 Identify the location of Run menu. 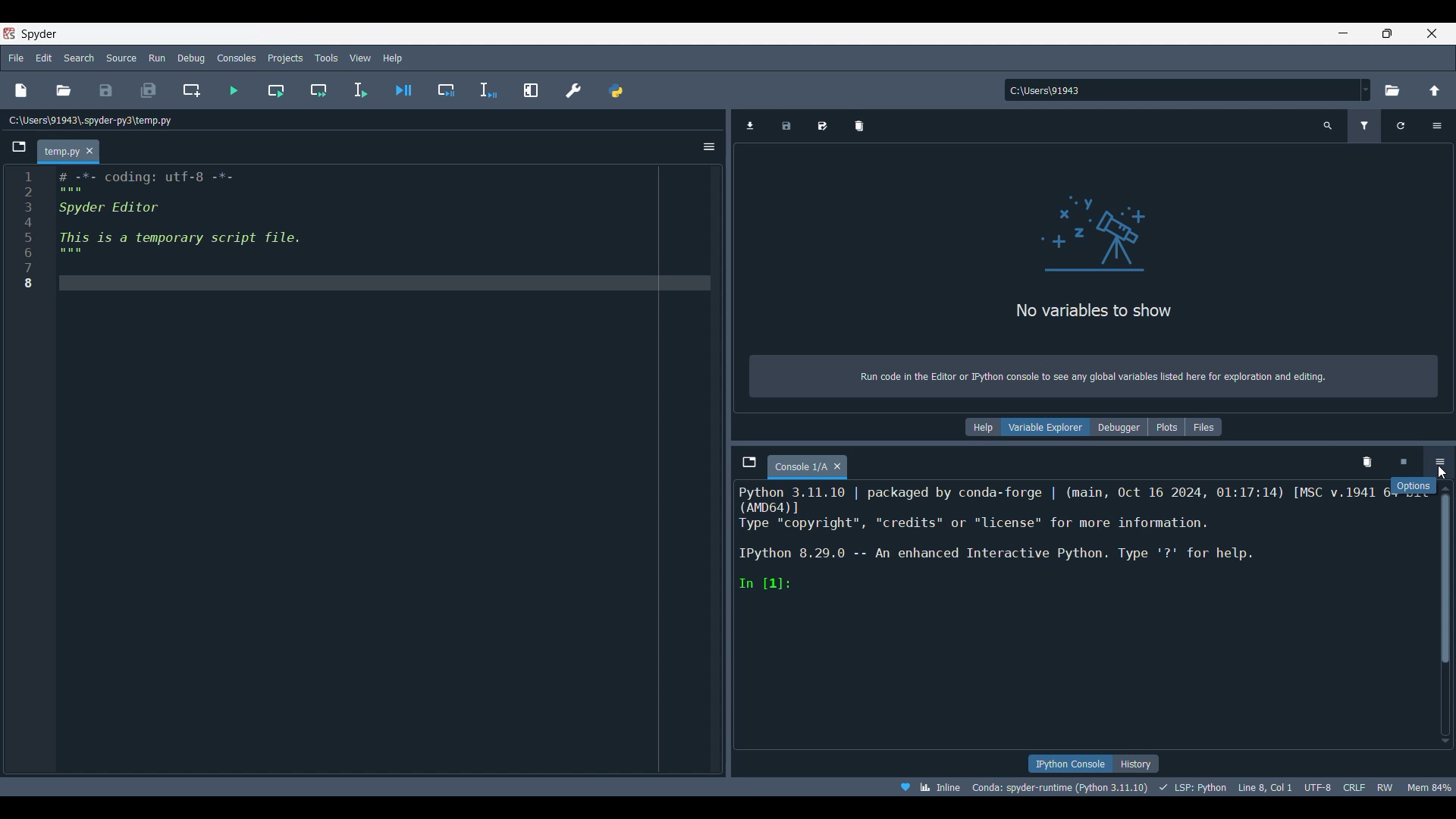
(158, 58).